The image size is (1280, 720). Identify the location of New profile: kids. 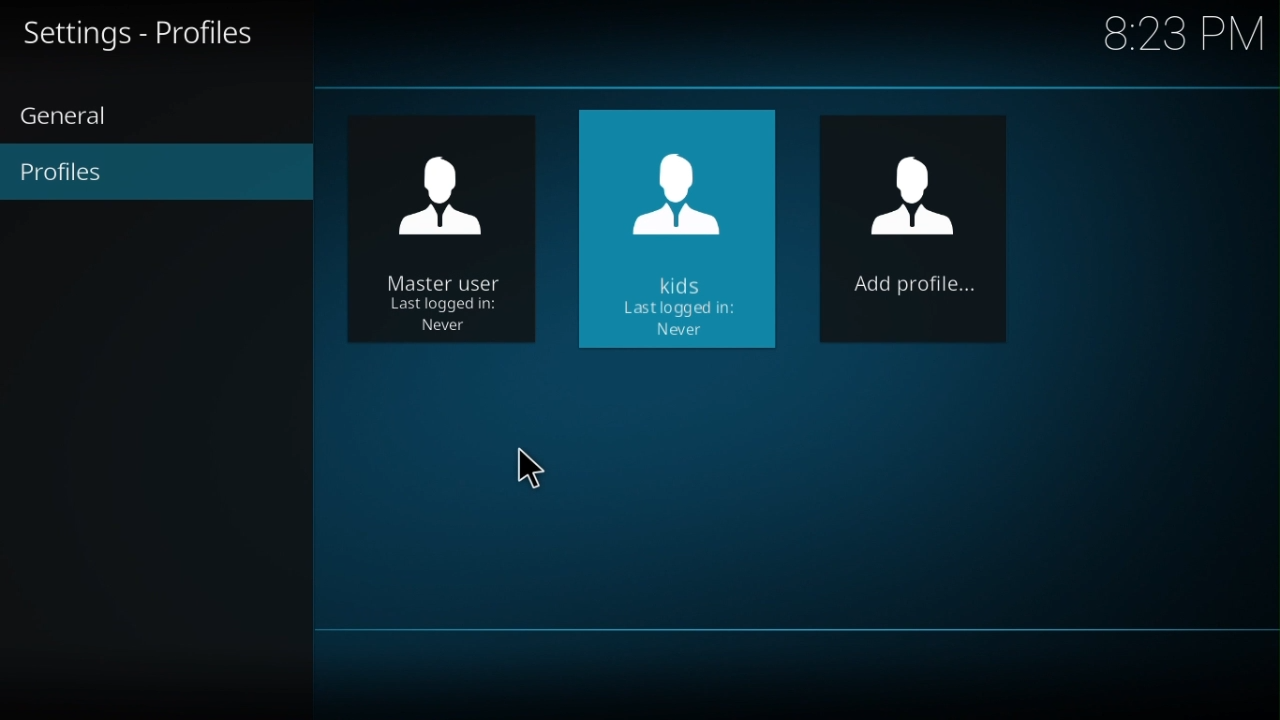
(677, 229).